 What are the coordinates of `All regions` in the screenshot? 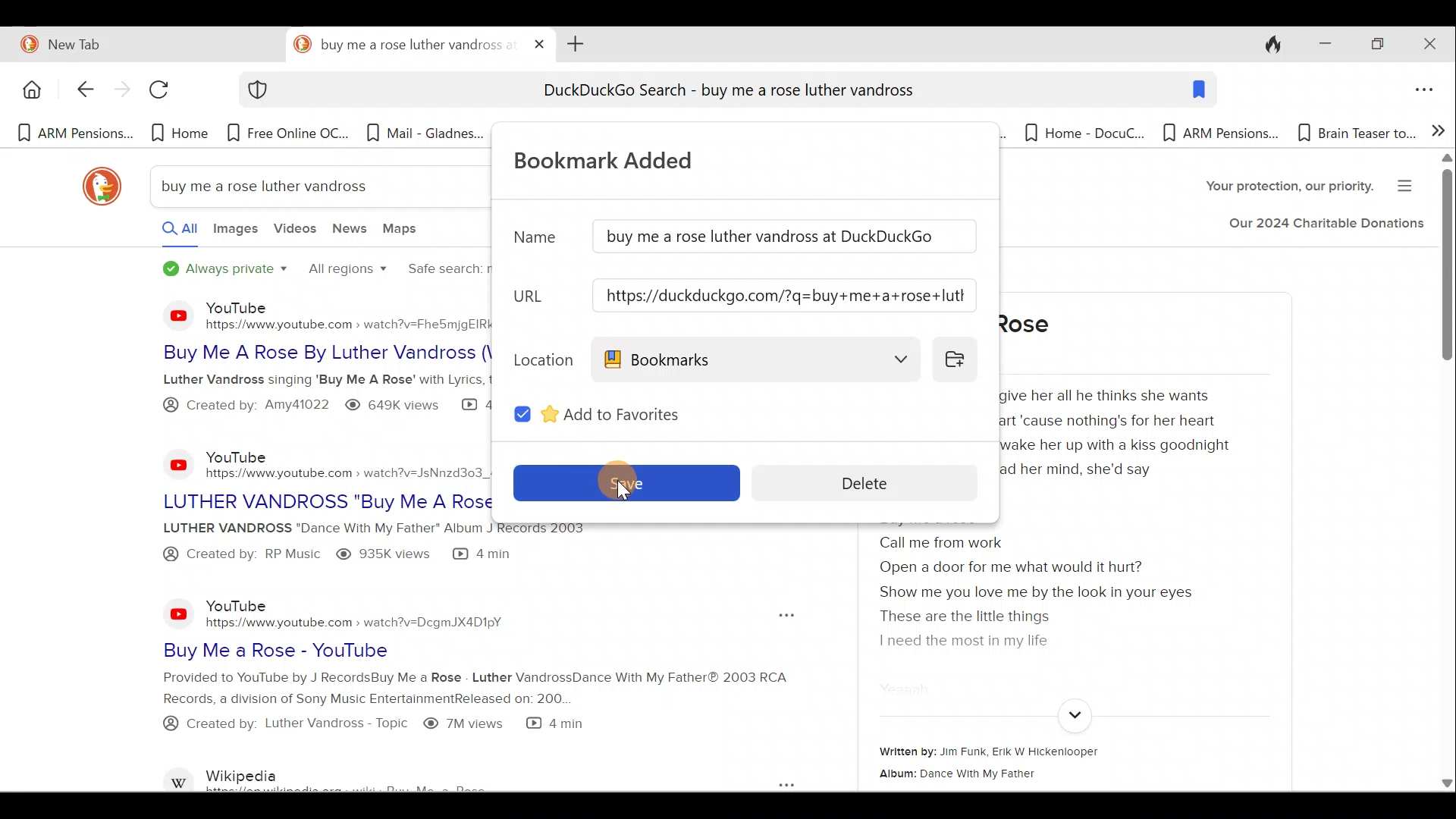 It's located at (346, 271).